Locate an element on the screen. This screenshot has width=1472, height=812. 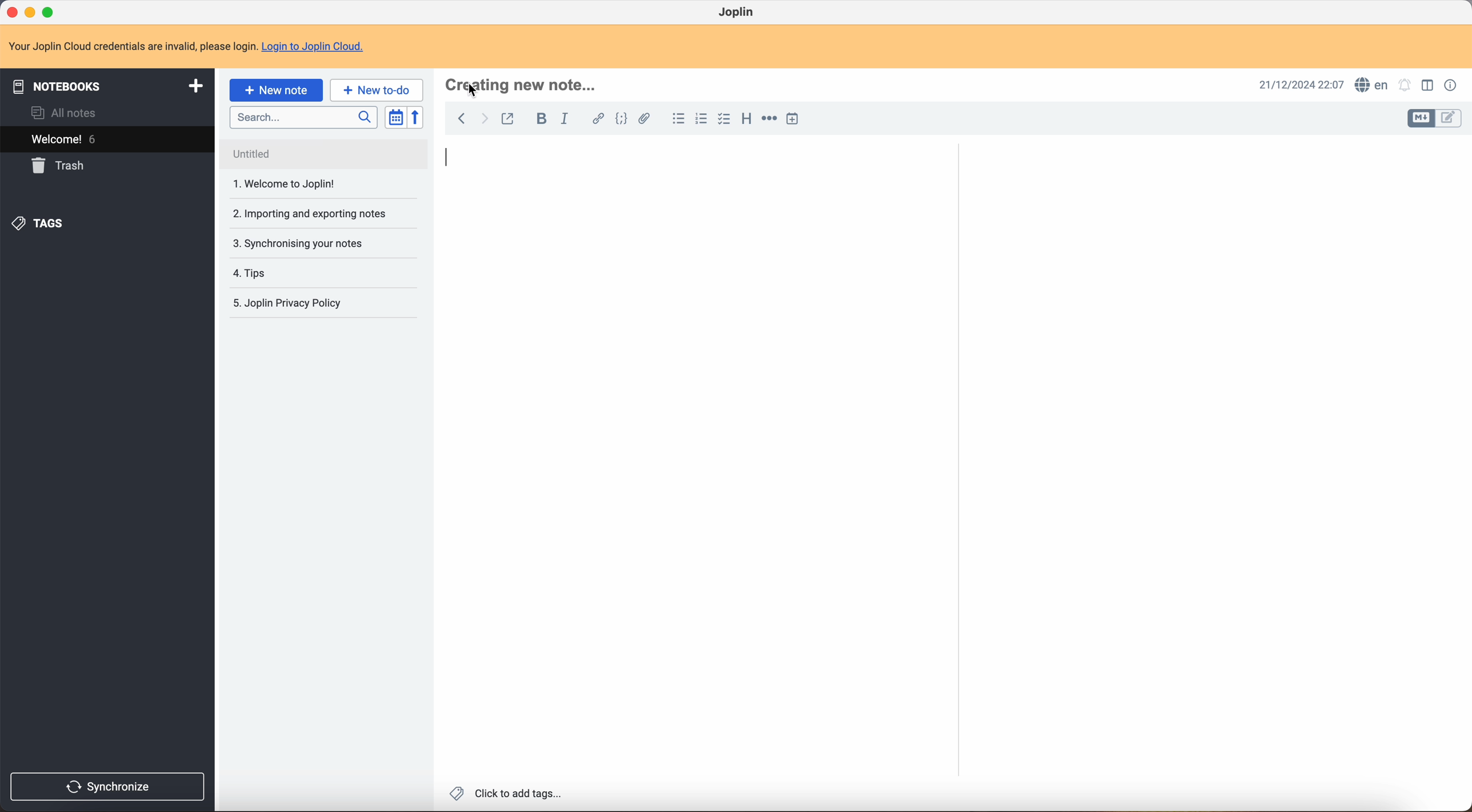
toggle edit layout is located at coordinates (1430, 85).